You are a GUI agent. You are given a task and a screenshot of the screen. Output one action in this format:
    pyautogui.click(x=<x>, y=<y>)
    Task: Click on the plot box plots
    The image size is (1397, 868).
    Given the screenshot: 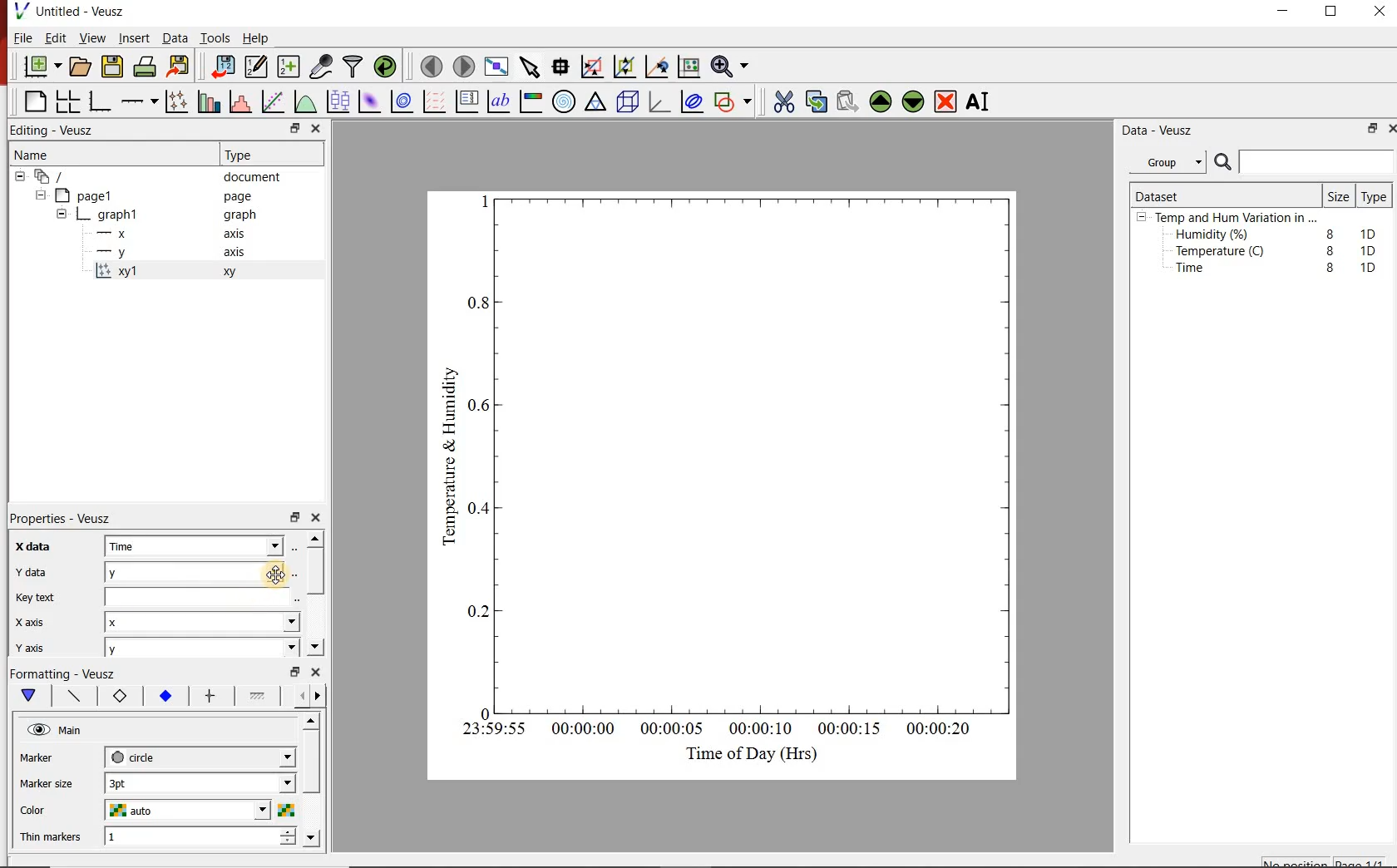 What is the action you would take?
    pyautogui.click(x=338, y=102)
    